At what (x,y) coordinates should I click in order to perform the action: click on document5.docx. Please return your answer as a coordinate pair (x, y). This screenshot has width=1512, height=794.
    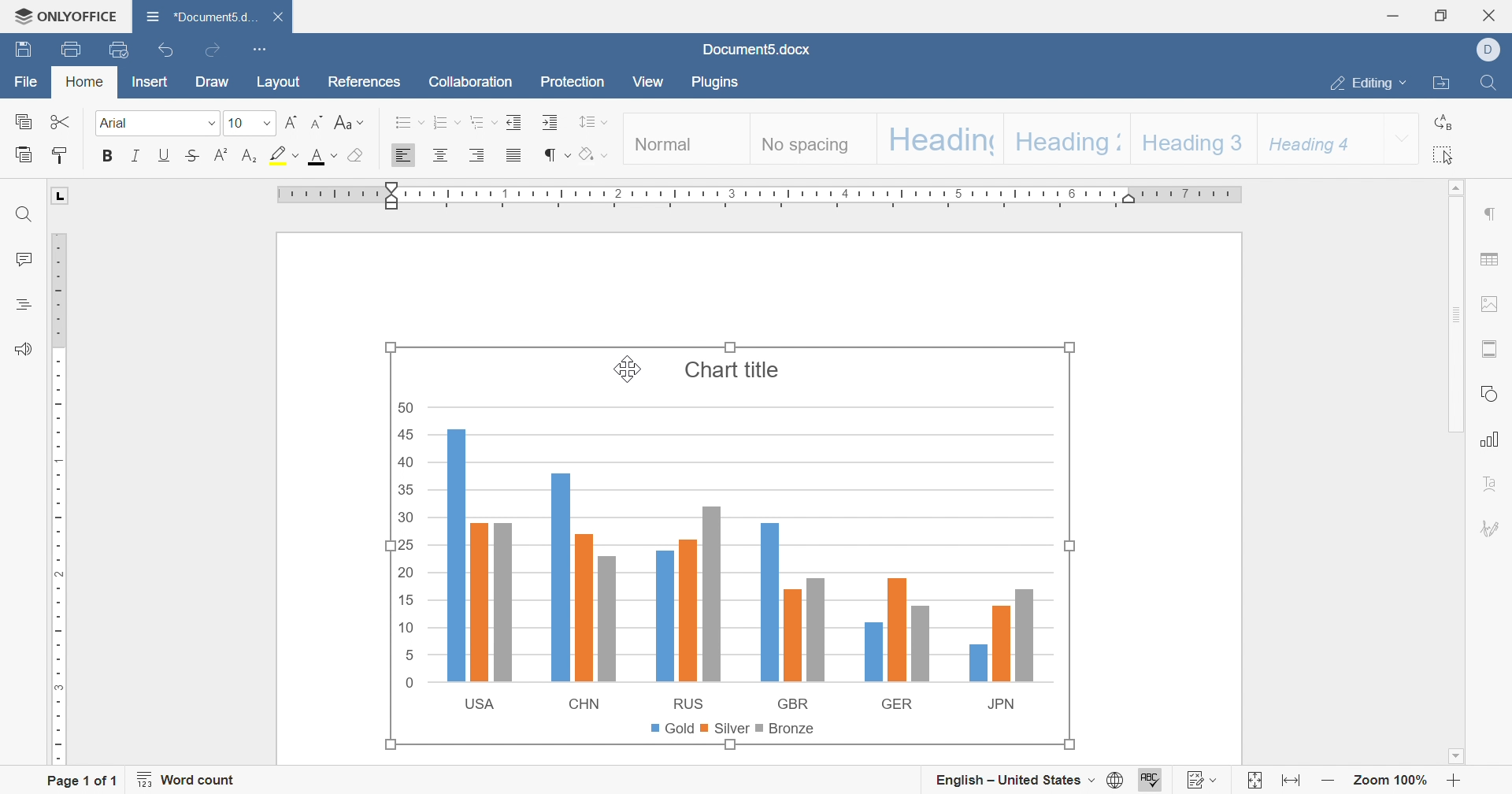
    Looking at the image, I should click on (755, 49).